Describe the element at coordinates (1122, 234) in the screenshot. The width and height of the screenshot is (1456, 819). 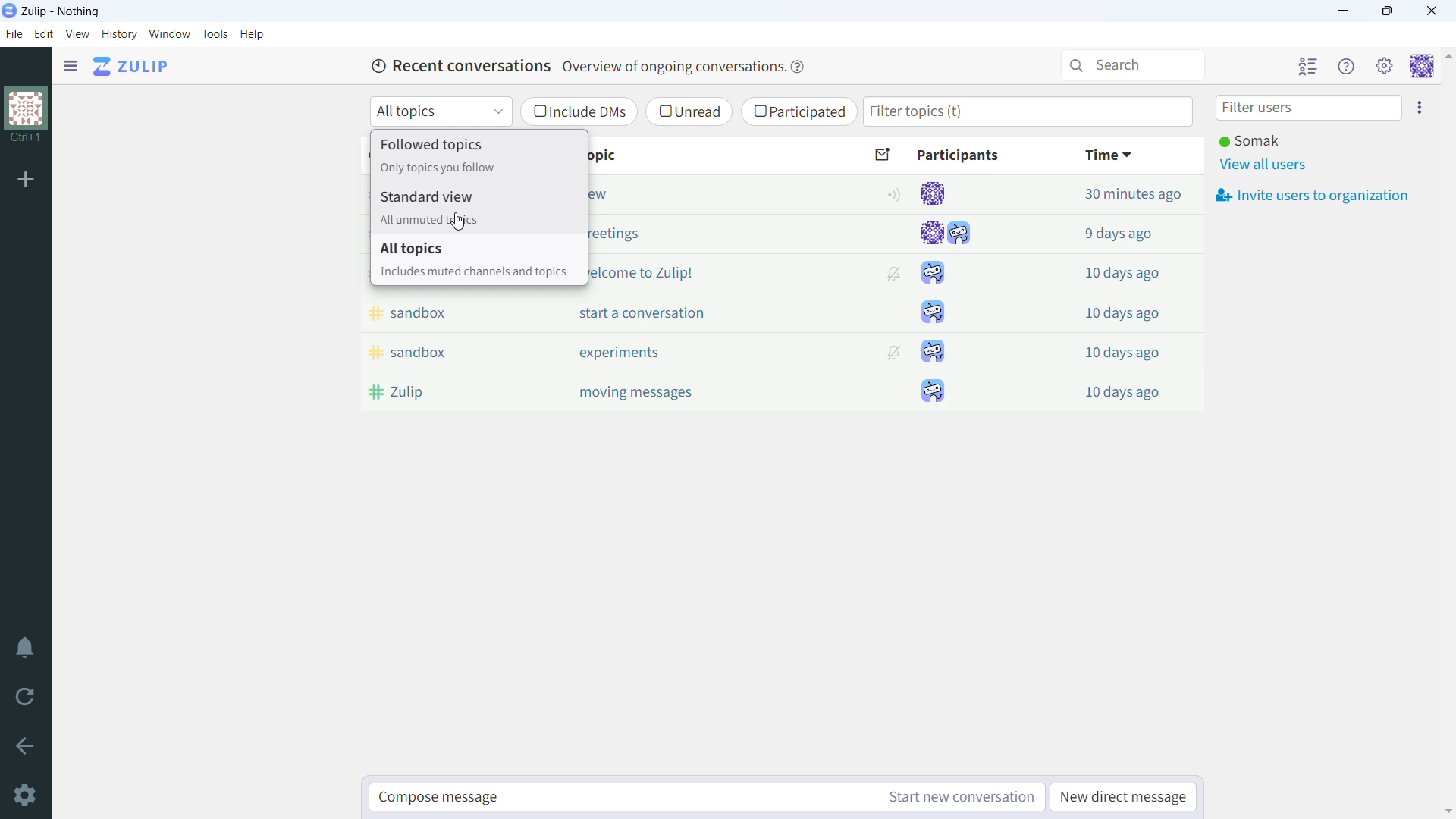
I see `9 days ago` at that location.